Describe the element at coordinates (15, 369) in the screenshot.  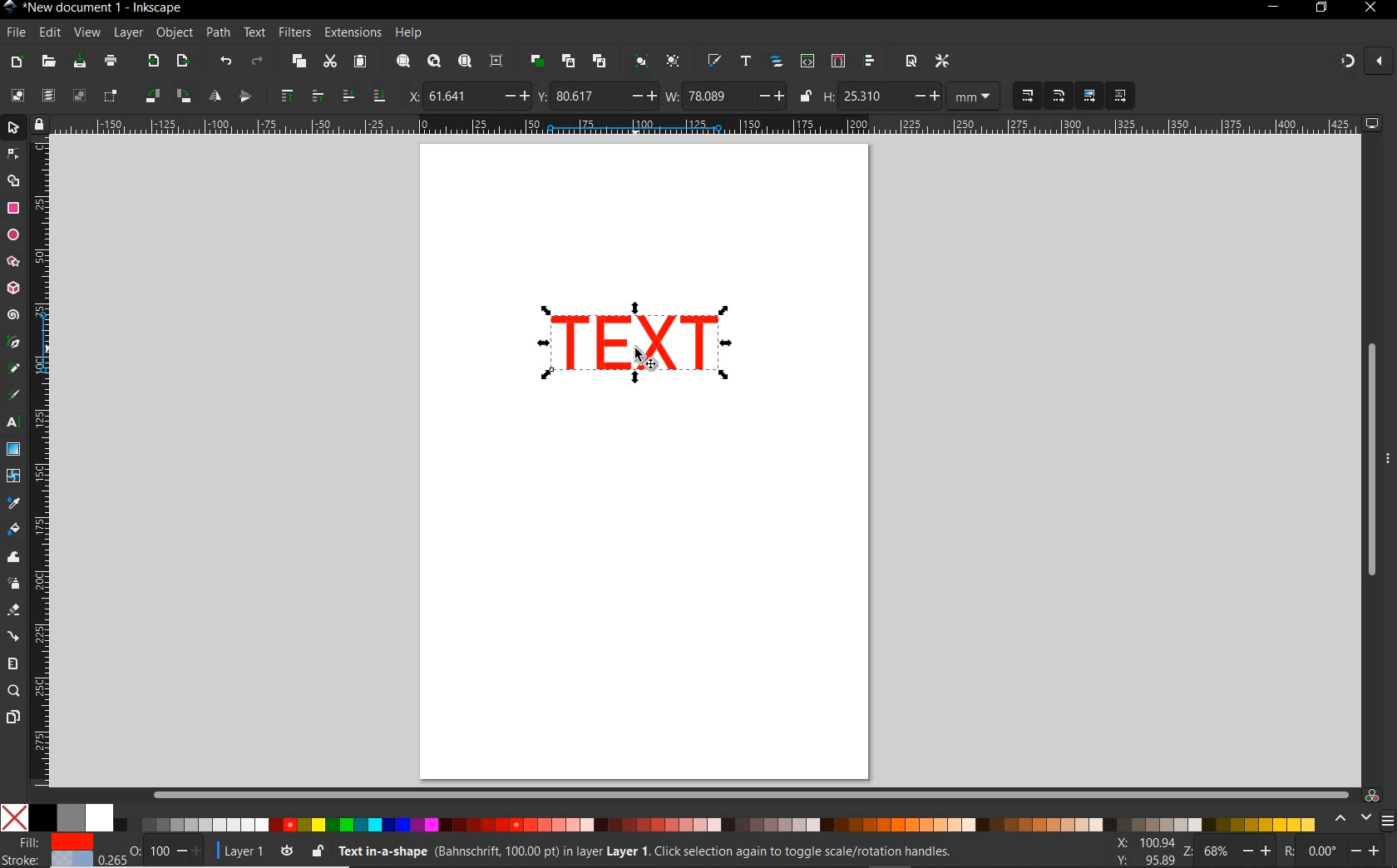
I see `pencil tool` at that location.